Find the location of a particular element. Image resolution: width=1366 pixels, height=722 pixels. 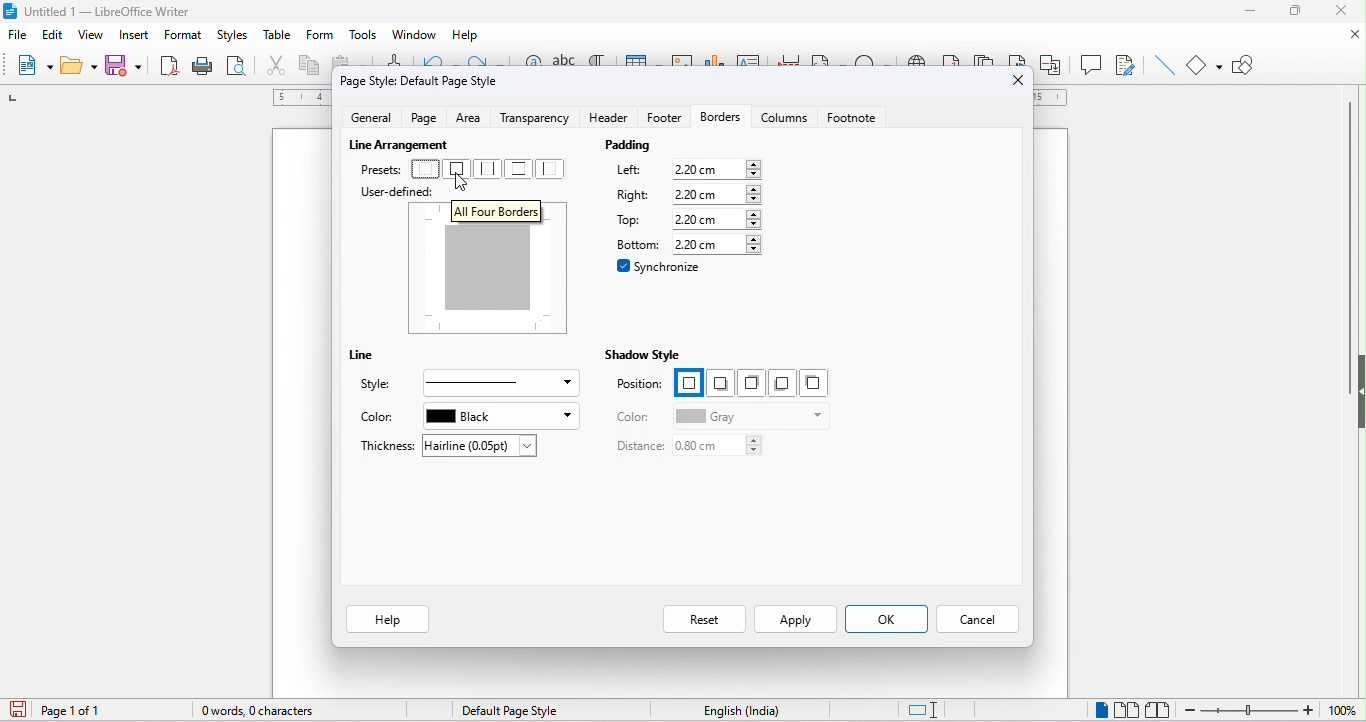

page style is located at coordinates (421, 81).